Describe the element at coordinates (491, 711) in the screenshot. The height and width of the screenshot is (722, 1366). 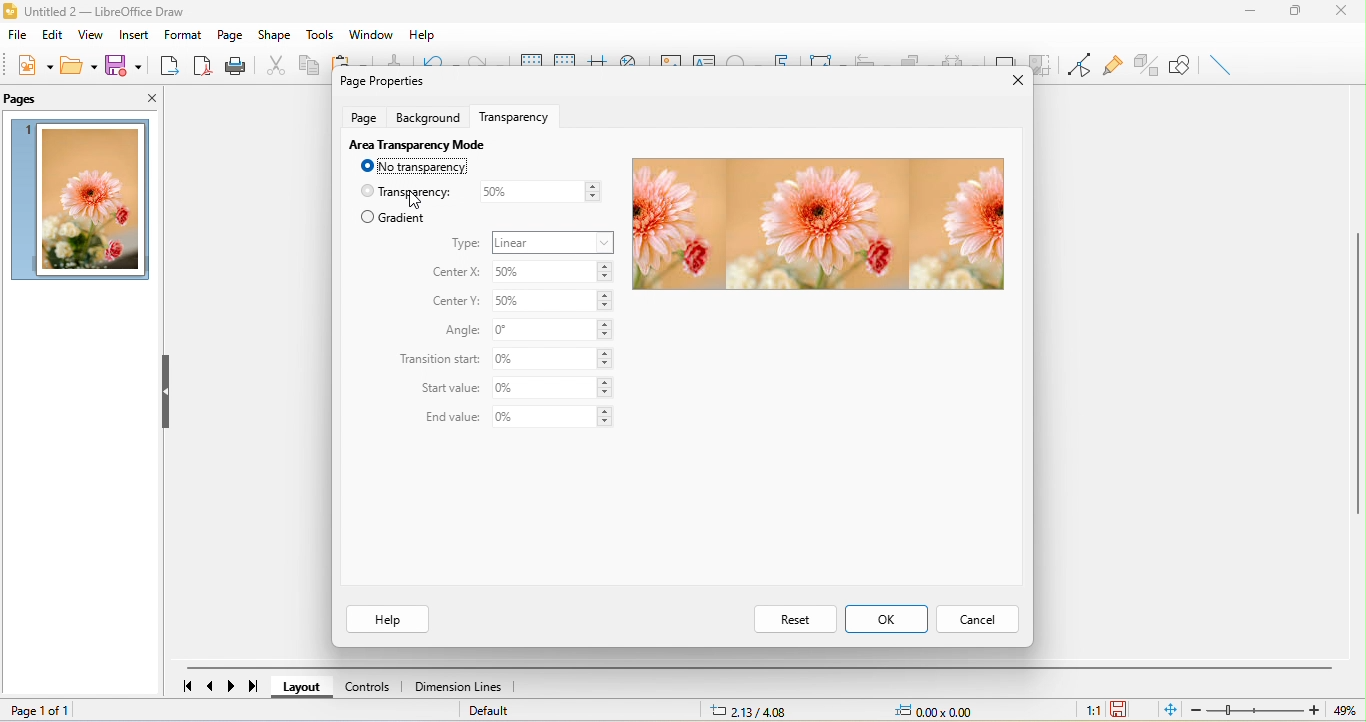
I see `default` at that location.